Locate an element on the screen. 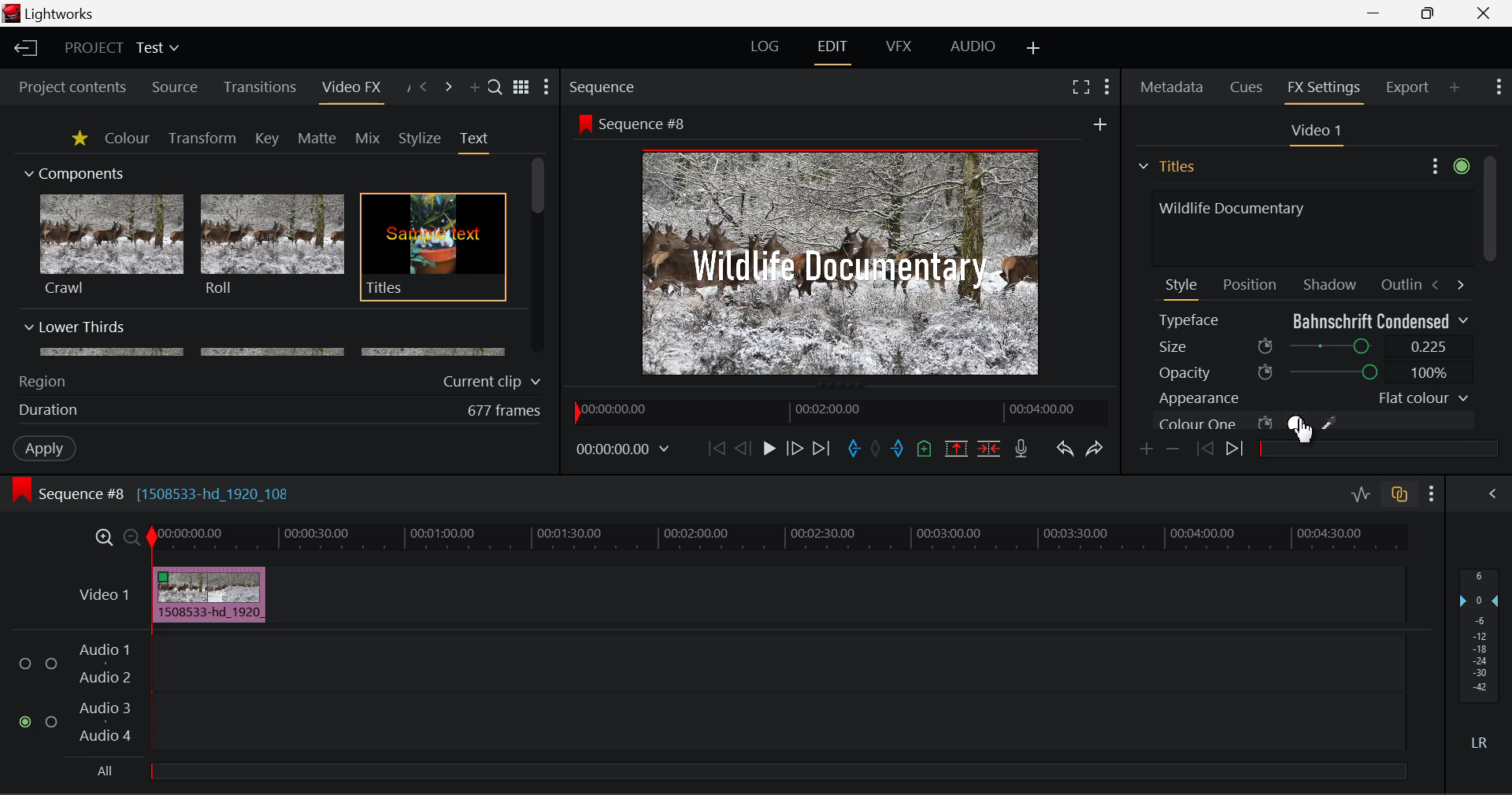 This screenshot has width=1512, height=795. Toggle audio levels editing is located at coordinates (1359, 492).